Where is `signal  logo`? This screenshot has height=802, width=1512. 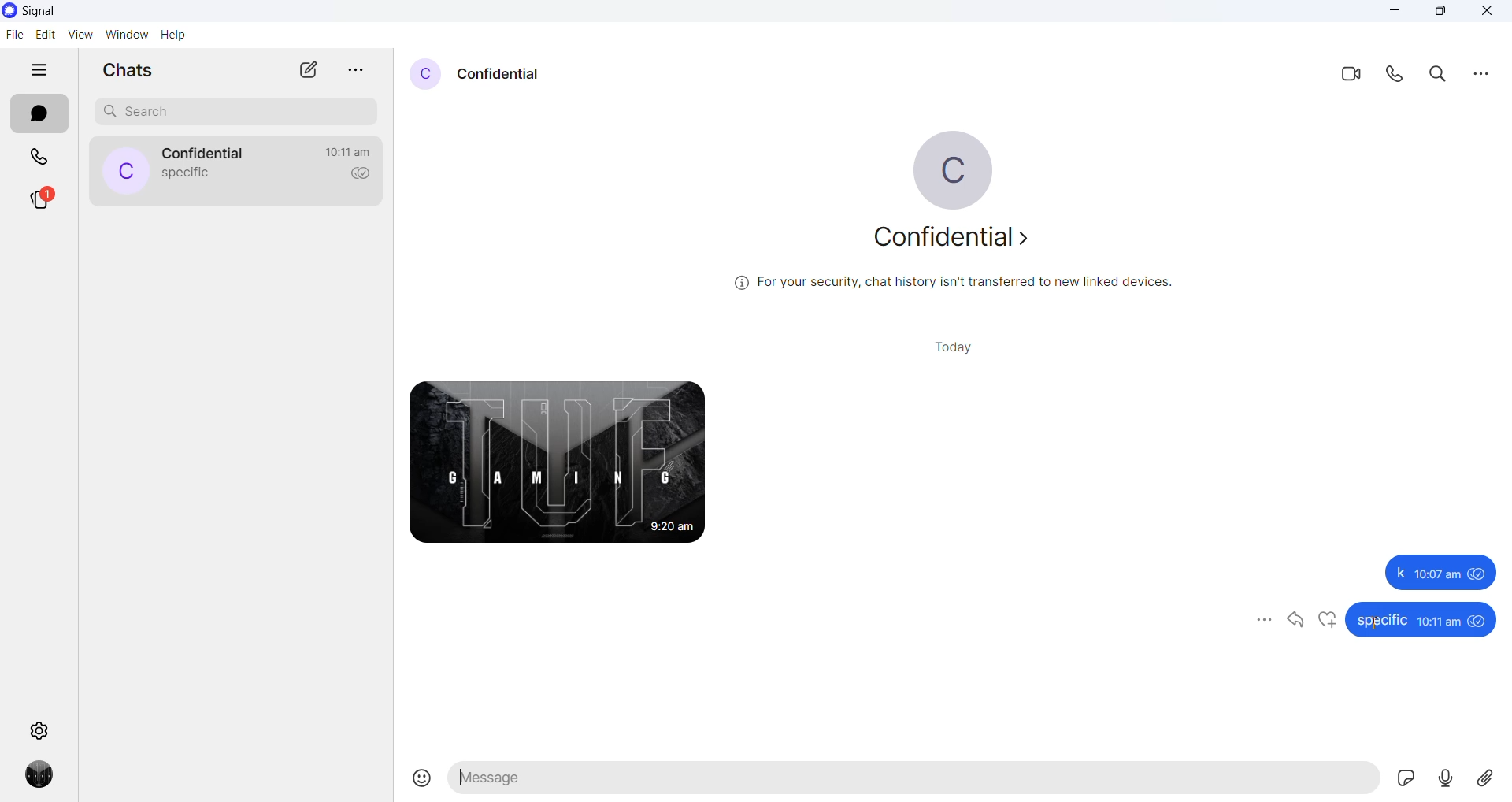
signal  logo is located at coordinates (55, 13).